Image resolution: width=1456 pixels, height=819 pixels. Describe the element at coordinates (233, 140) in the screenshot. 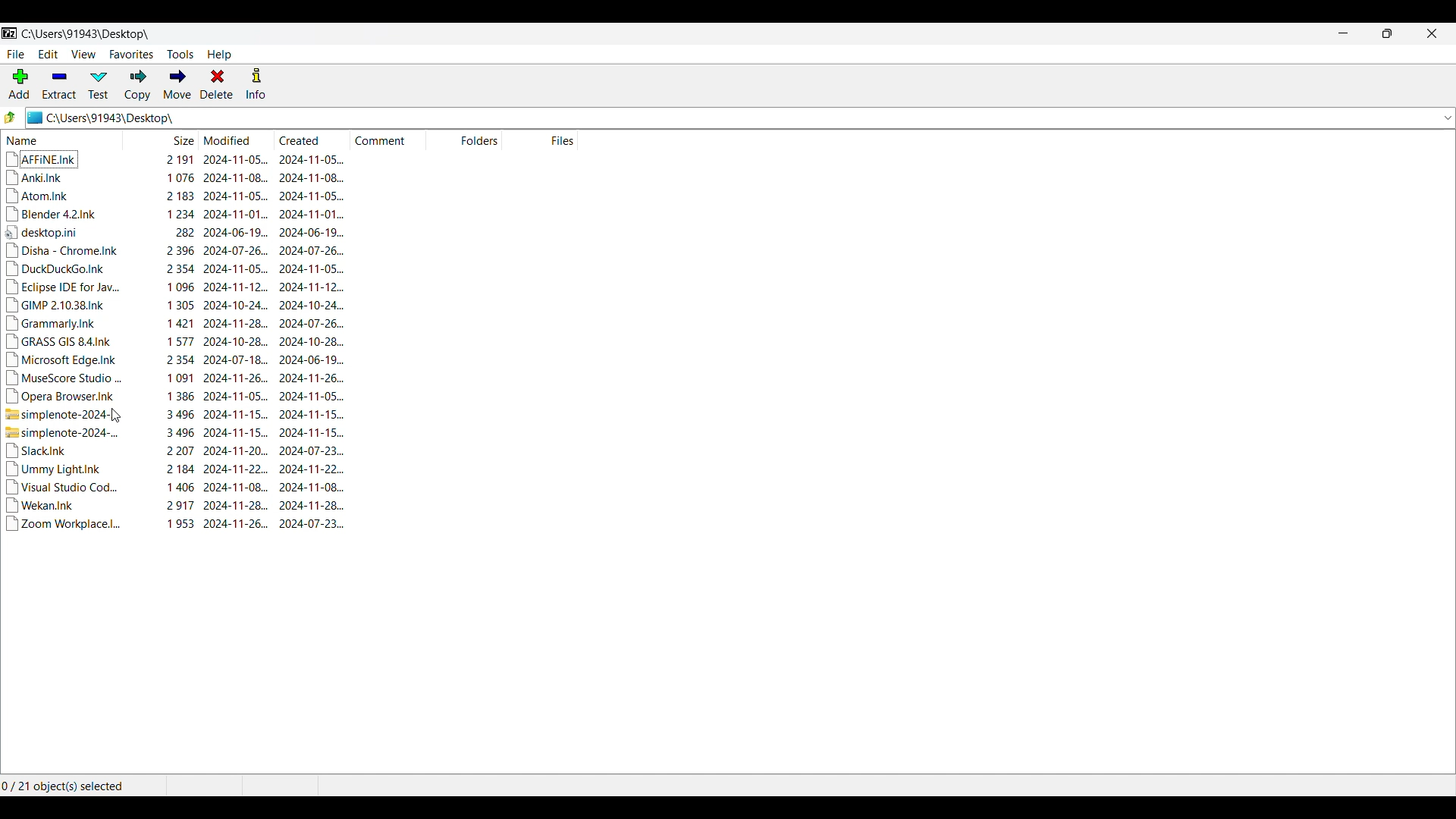

I see `Modified` at that location.